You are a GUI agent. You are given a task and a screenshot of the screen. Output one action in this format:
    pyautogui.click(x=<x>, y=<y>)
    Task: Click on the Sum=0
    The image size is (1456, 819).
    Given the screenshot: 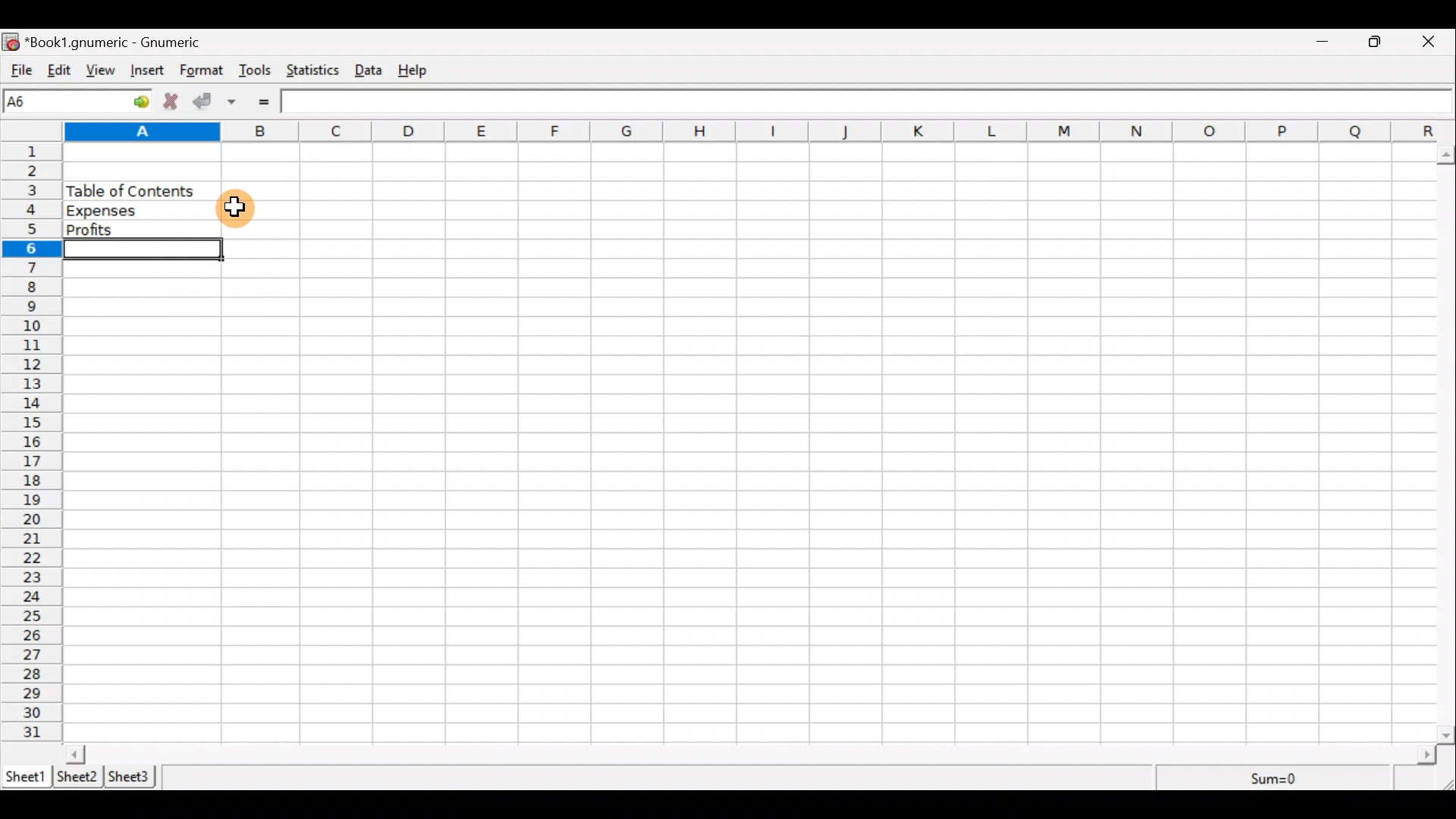 What is the action you would take?
    pyautogui.click(x=1276, y=780)
    